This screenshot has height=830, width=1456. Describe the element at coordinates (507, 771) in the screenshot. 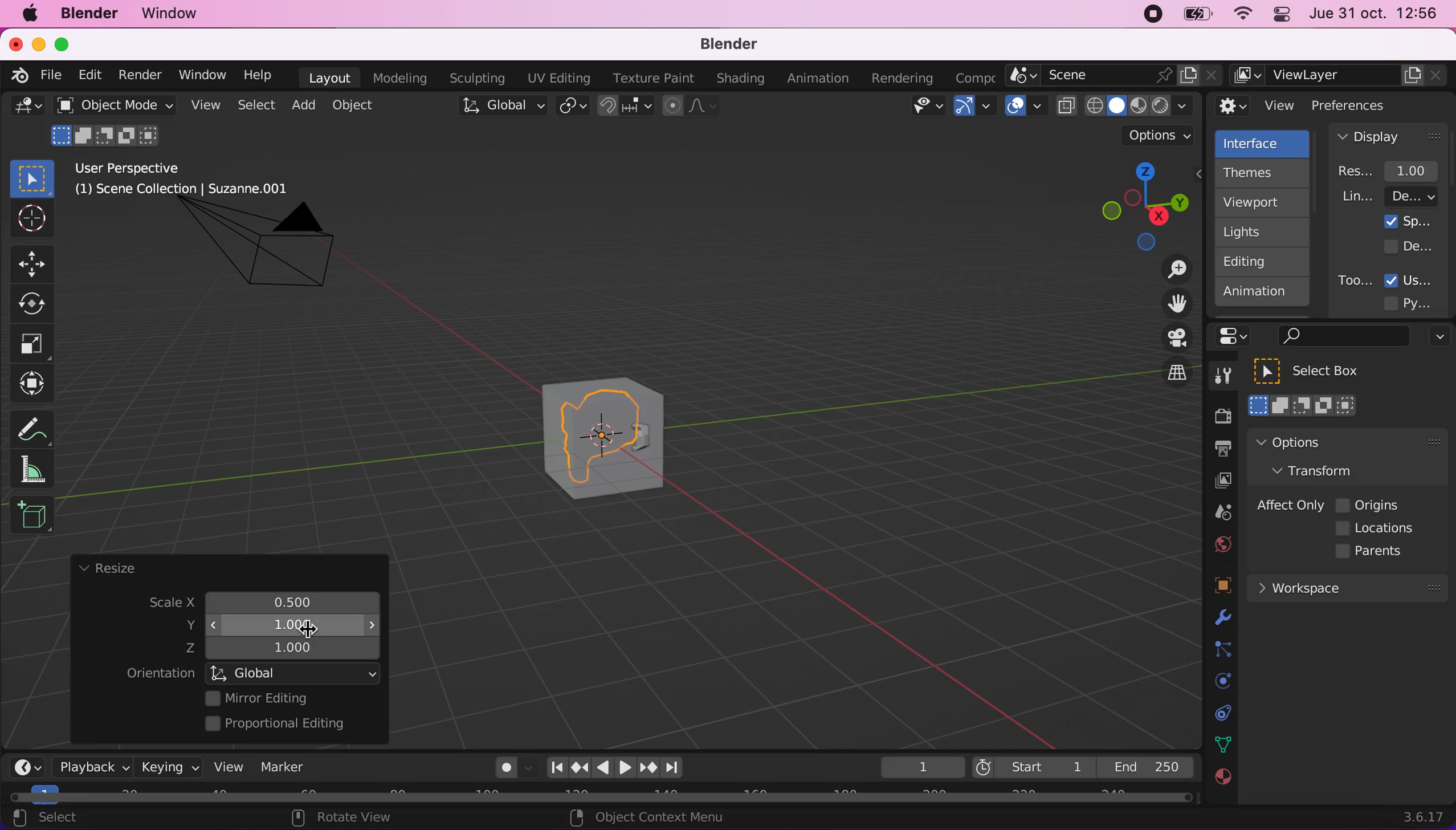

I see `autokeying` at that location.